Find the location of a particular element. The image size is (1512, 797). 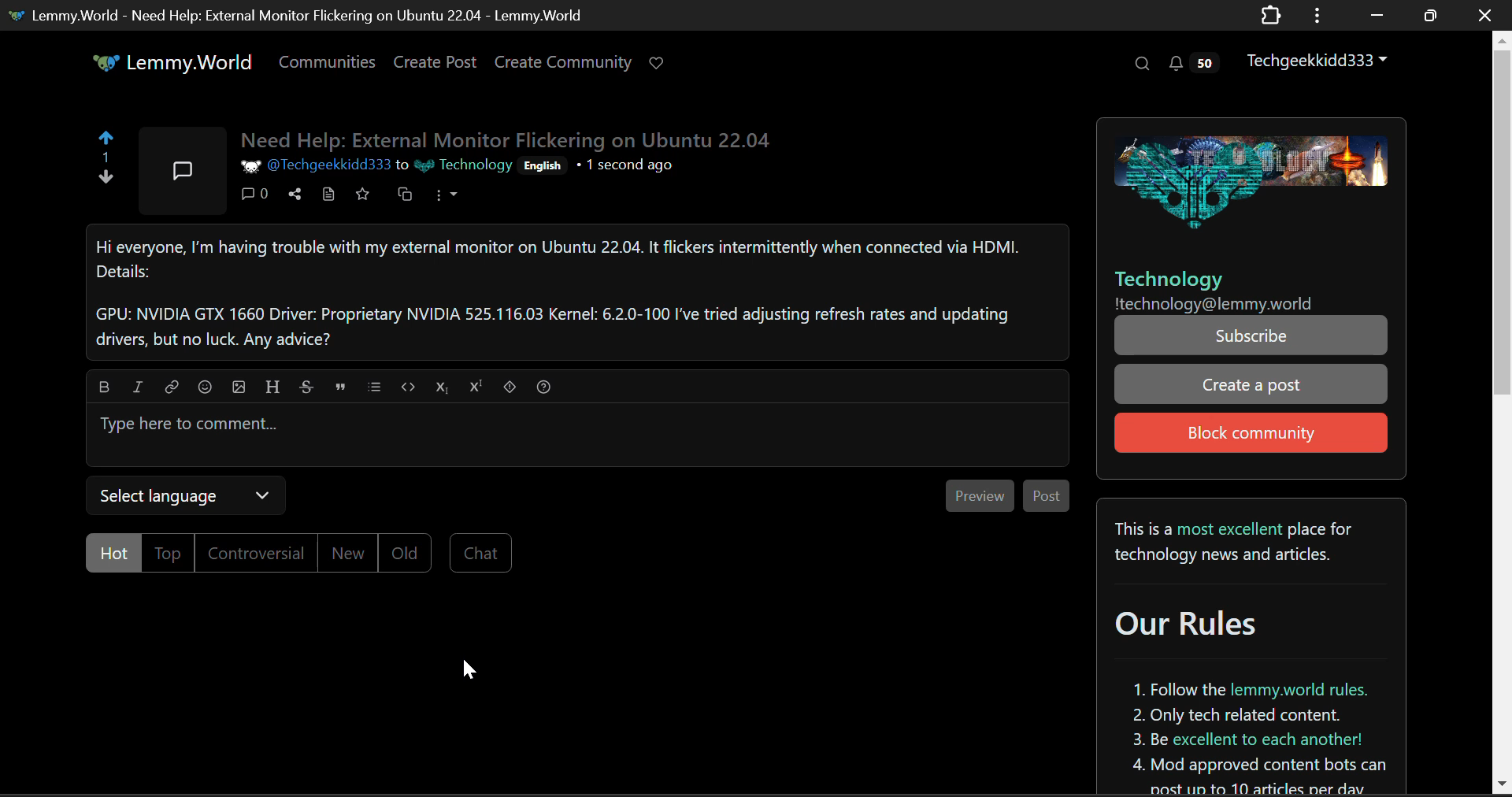

Save is located at coordinates (365, 197).